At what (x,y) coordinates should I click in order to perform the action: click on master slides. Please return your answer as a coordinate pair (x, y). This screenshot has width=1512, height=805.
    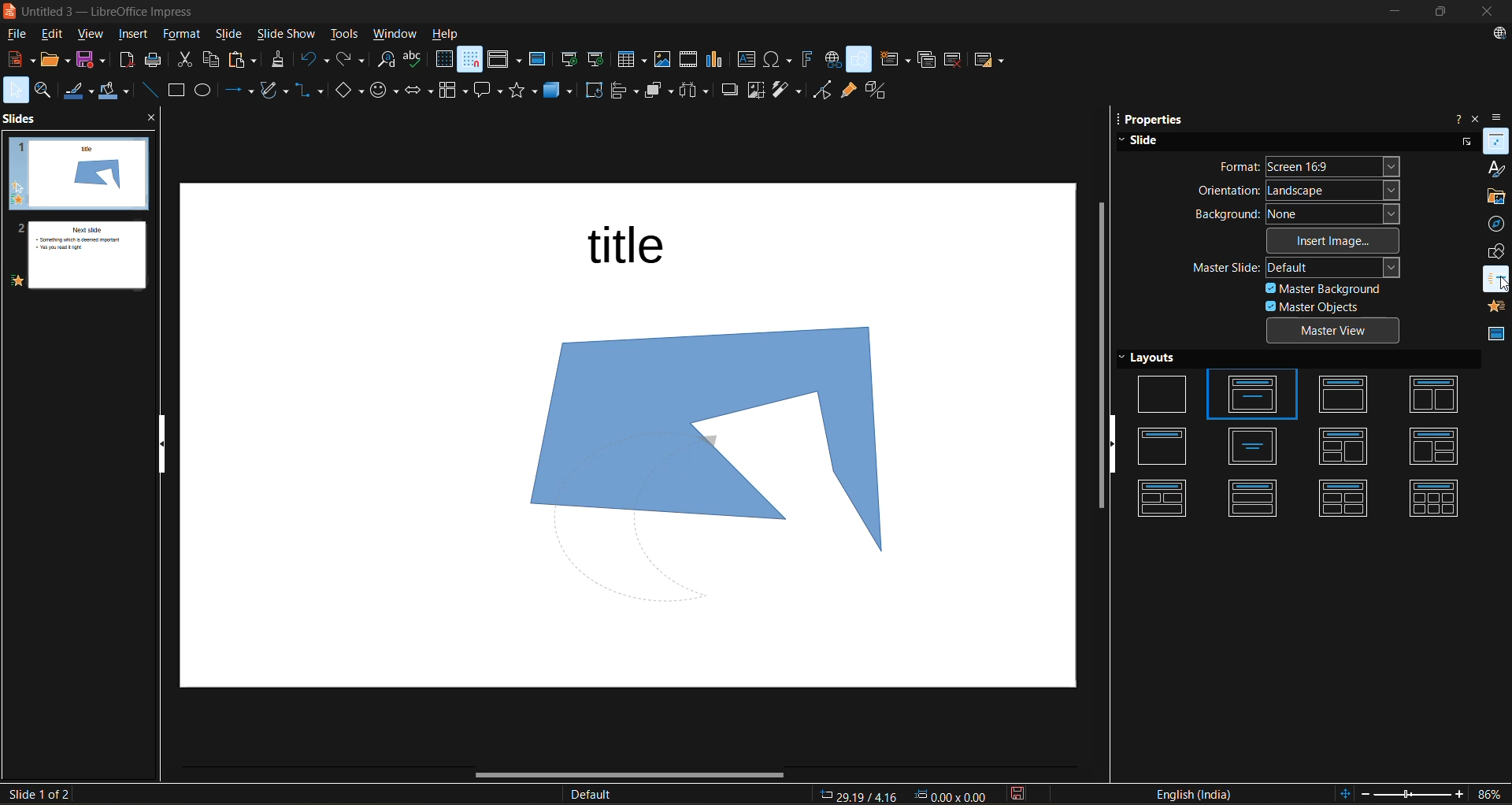
    Looking at the image, I should click on (1493, 338).